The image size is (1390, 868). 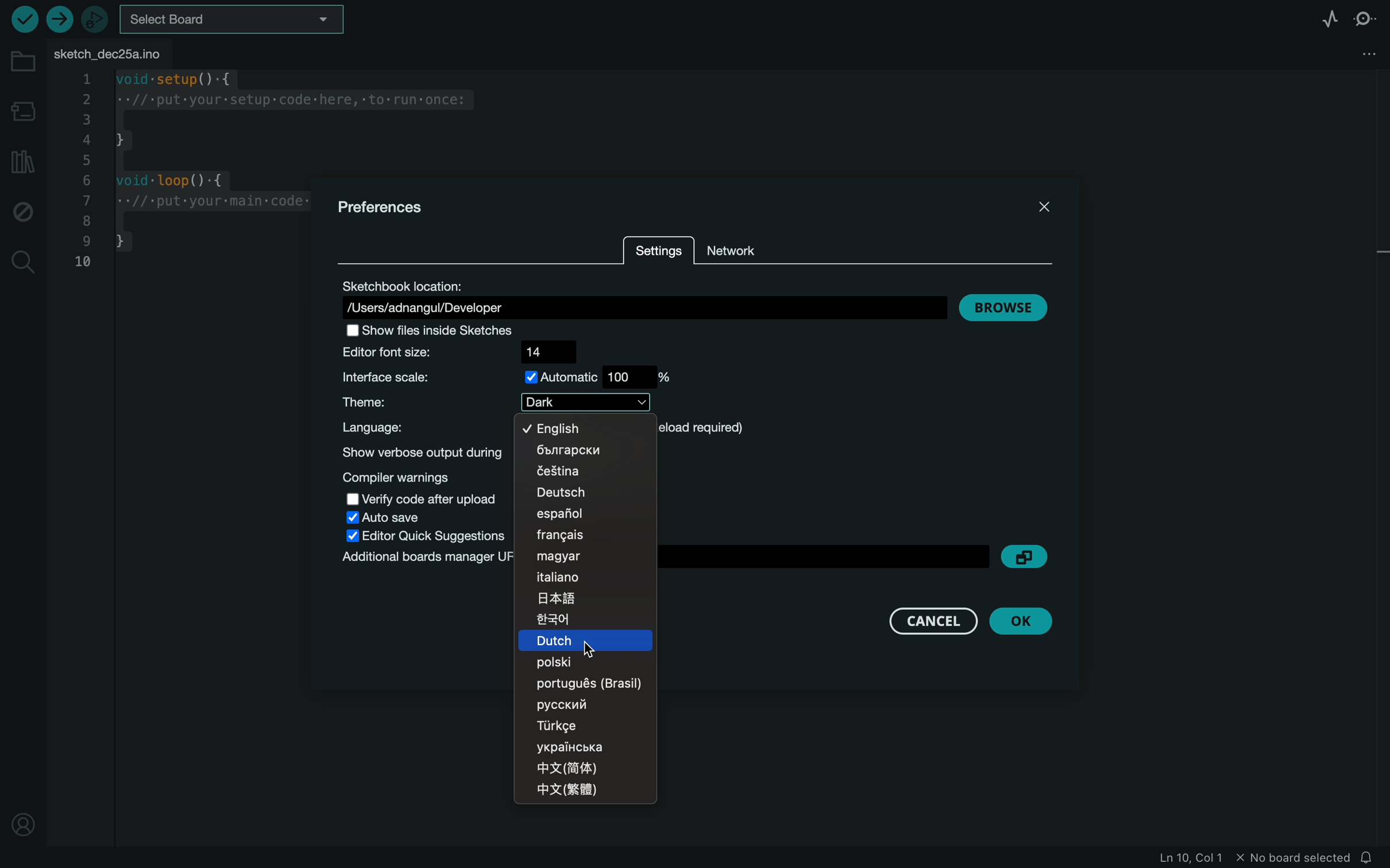 What do you see at coordinates (21, 161) in the screenshot?
I see `library  manager` at bounding box center [21, 161].